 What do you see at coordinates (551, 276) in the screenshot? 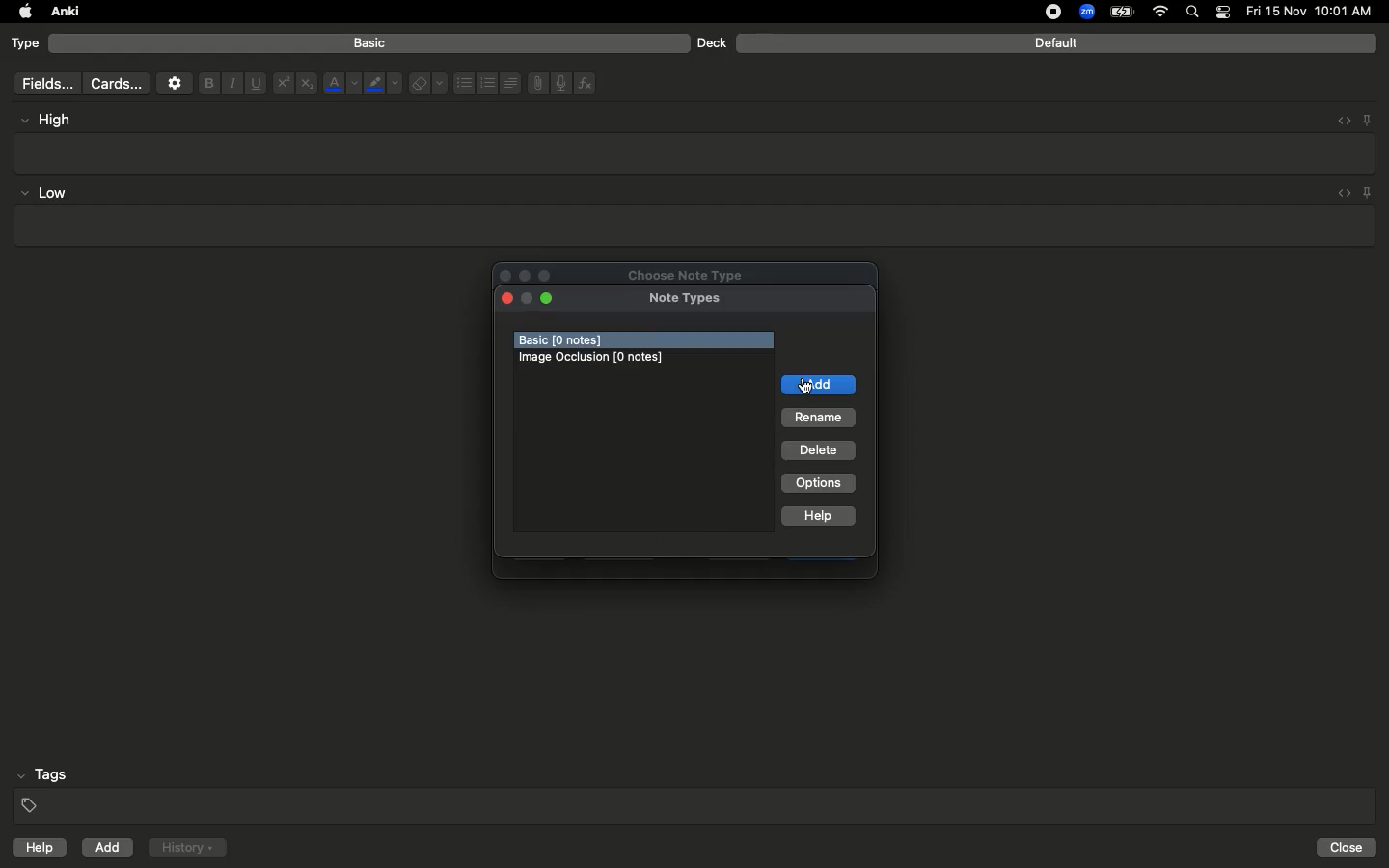
I see `Maximize` at bounding box center [551, 276].